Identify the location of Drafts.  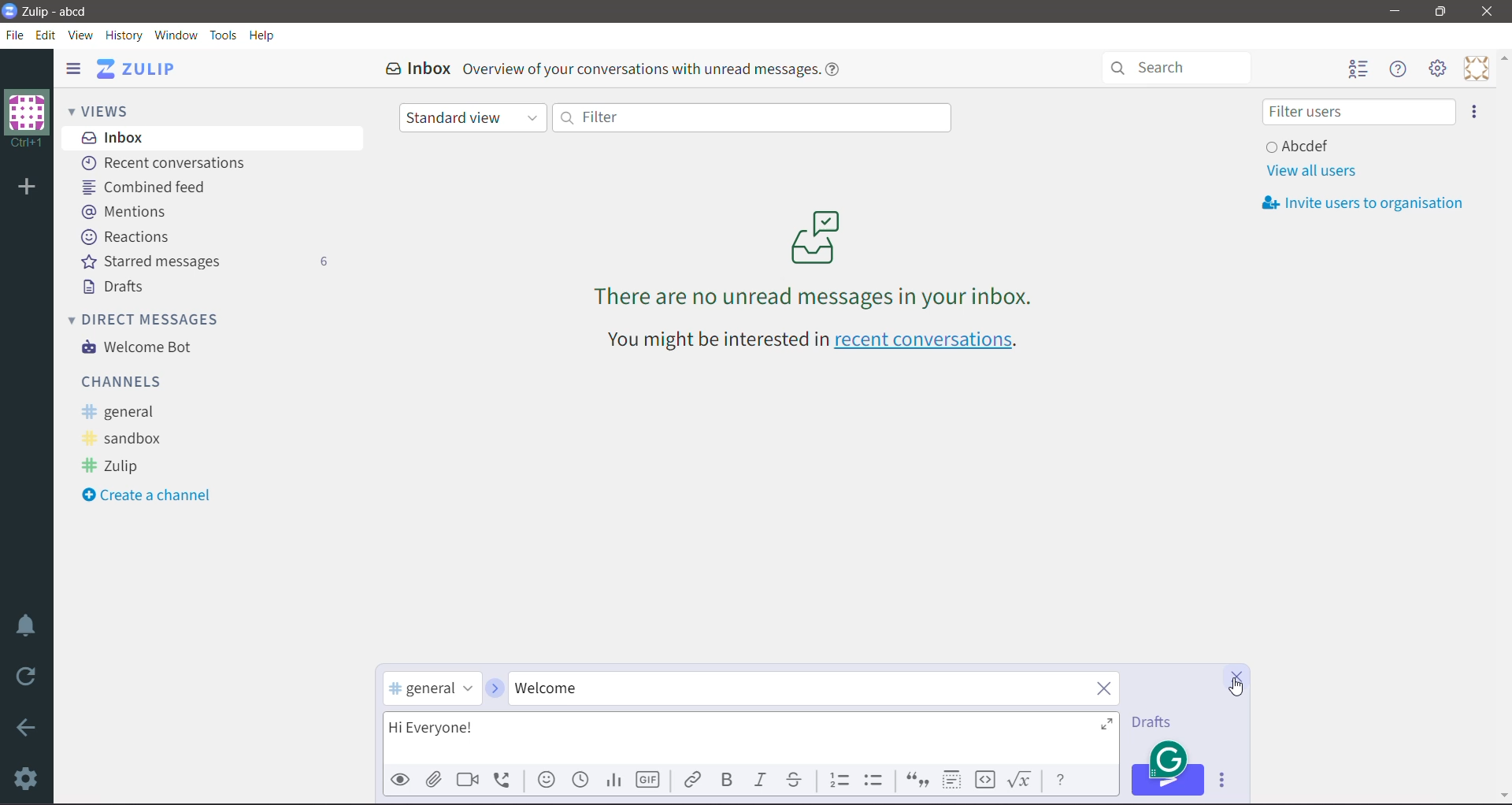
(117, 287).